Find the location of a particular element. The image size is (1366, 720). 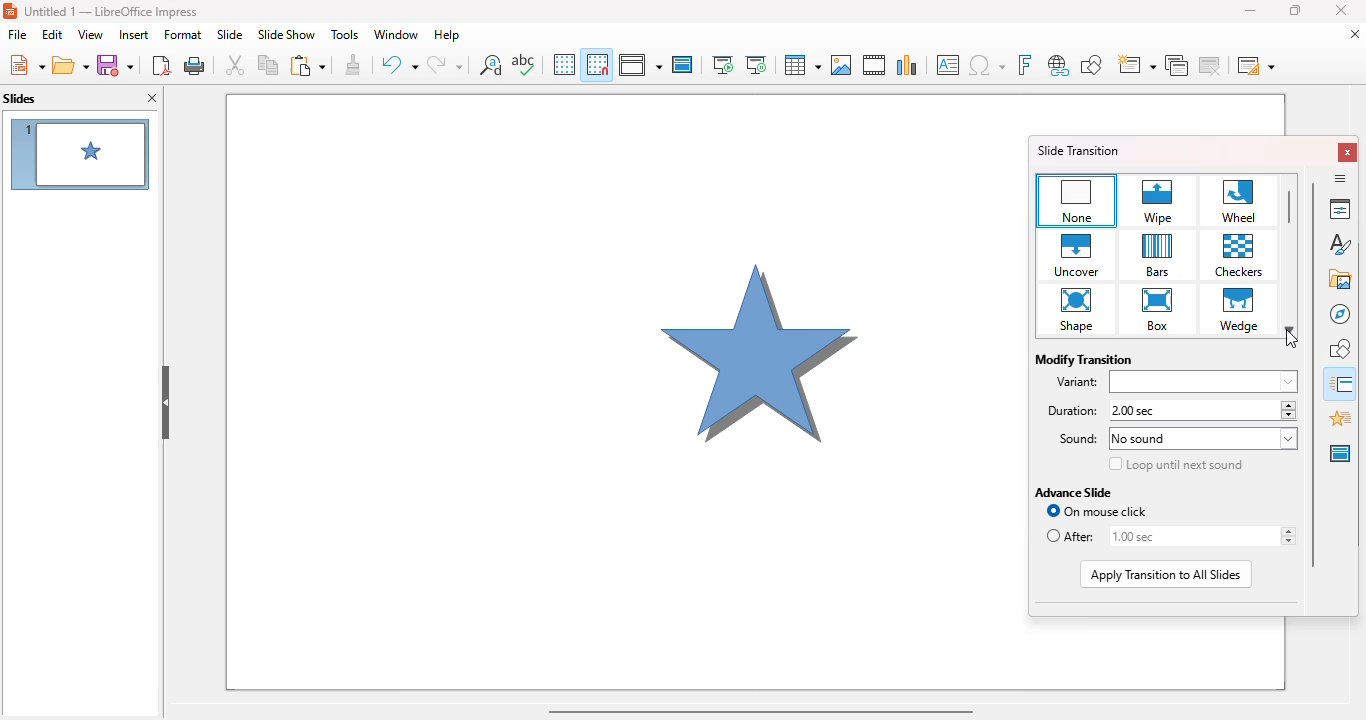

insert is located at coordinates (135, 34).